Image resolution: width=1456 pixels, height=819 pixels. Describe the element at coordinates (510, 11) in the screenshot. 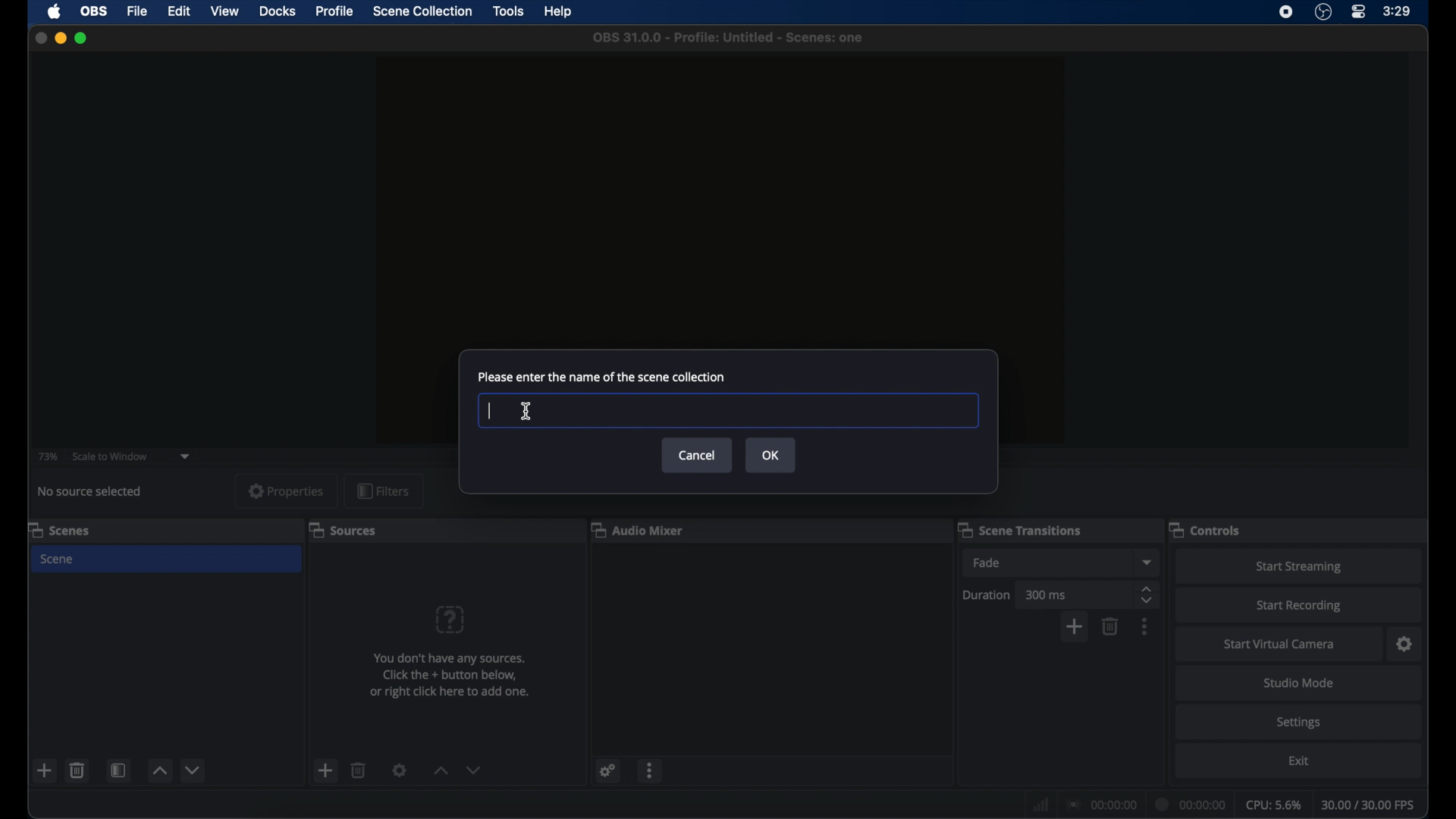

I see `tools` at that location.